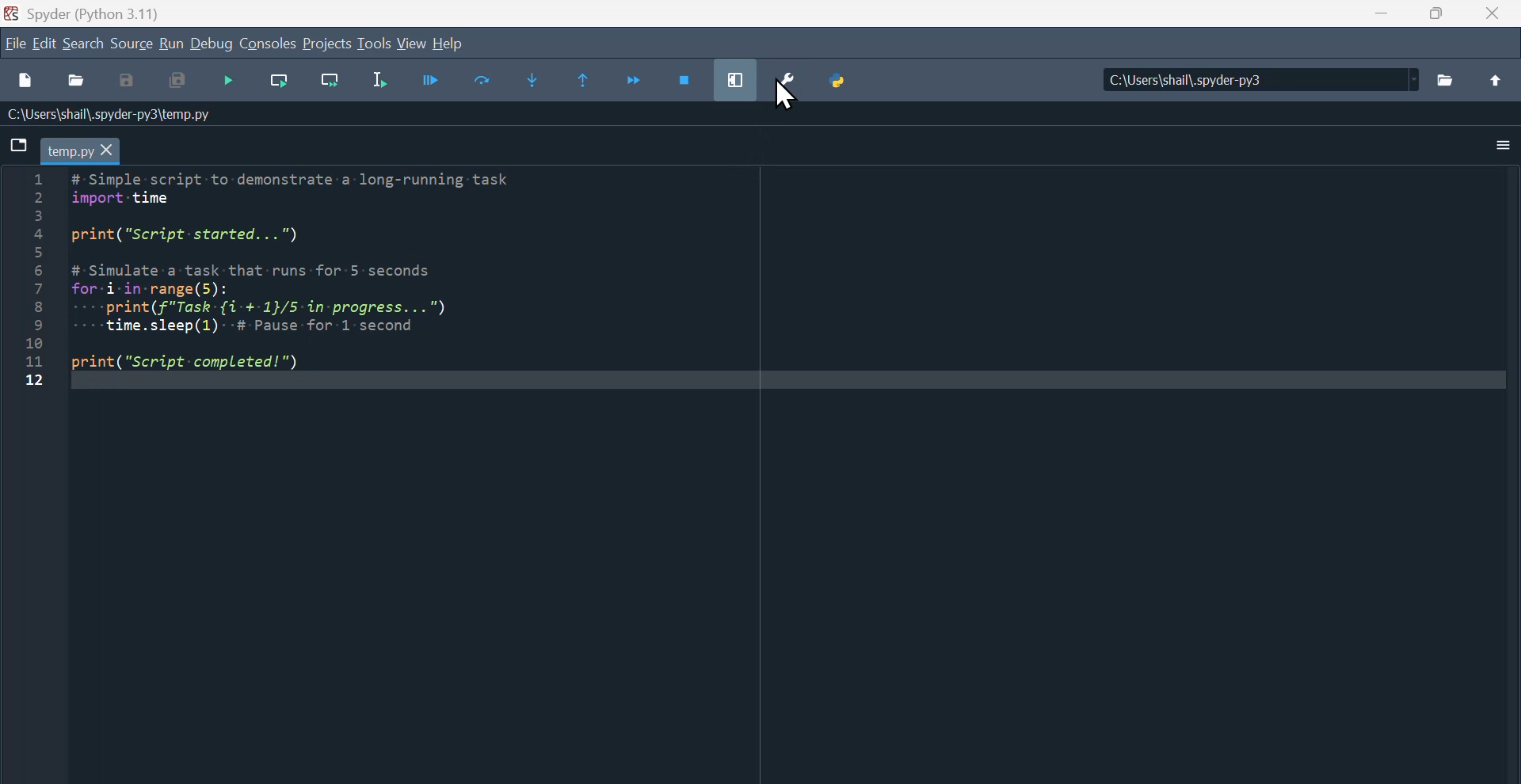 Image resolution: width=1521 pixels, height=784 pixels. Describe the element at coordinates (734, 77) in the screenshot. I see `maximise current window` at that location.